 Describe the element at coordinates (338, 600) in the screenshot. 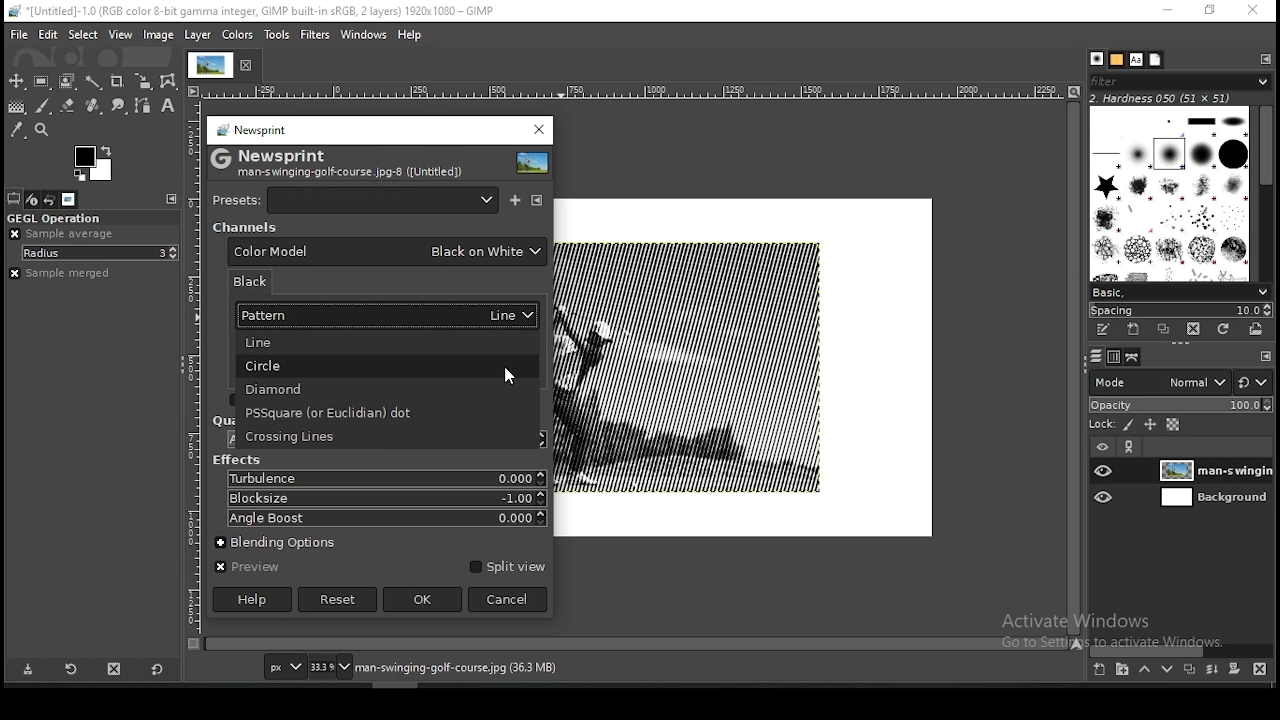

I see `reset` at that location.